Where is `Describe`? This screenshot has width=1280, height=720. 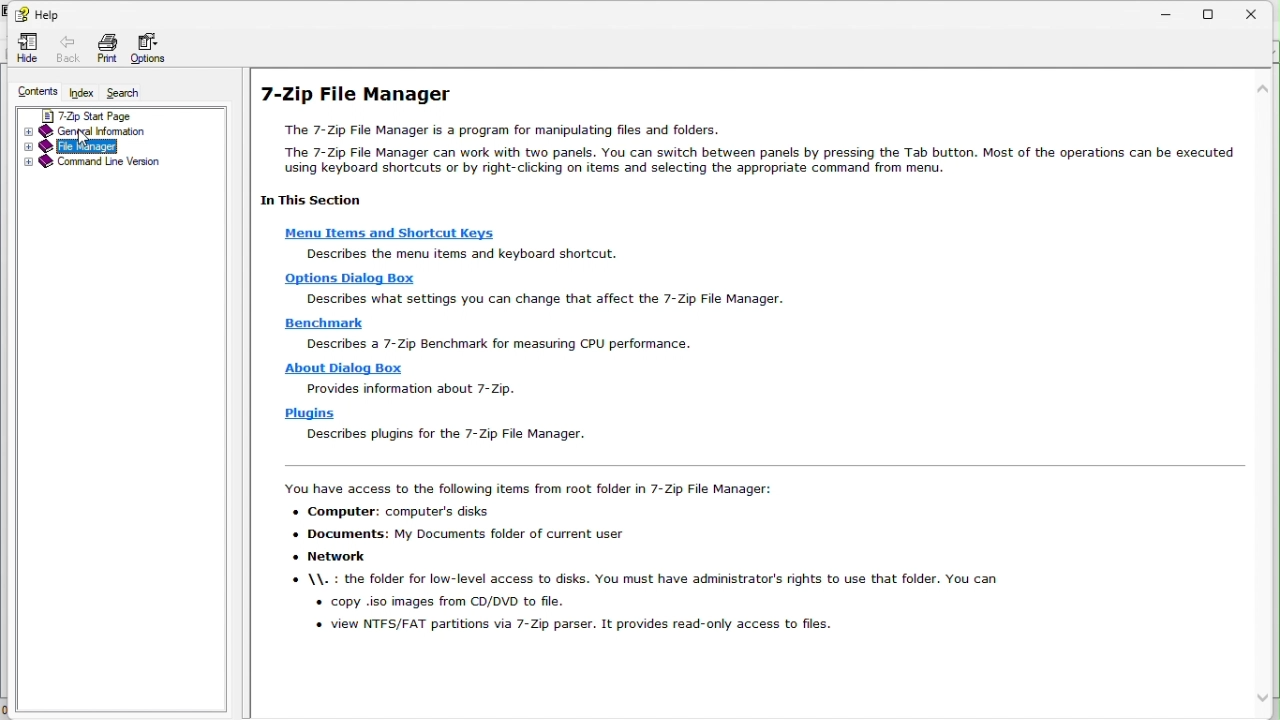
Describe is located at coordinates (345, 280).